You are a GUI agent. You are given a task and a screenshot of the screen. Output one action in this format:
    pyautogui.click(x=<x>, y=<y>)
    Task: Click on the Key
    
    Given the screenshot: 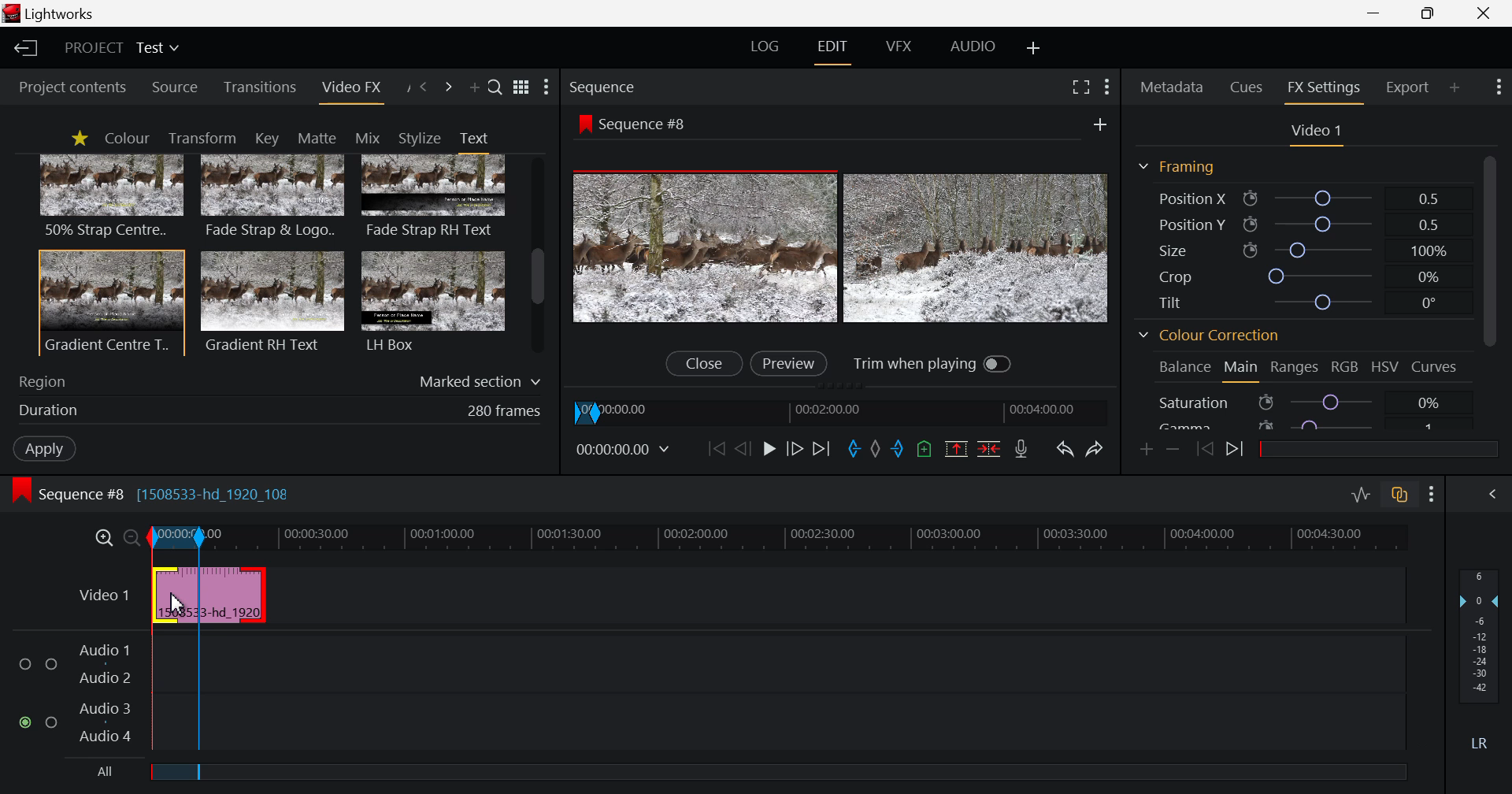 What is the action you would take?
    pyautogui.click(x=265, y=139)
    